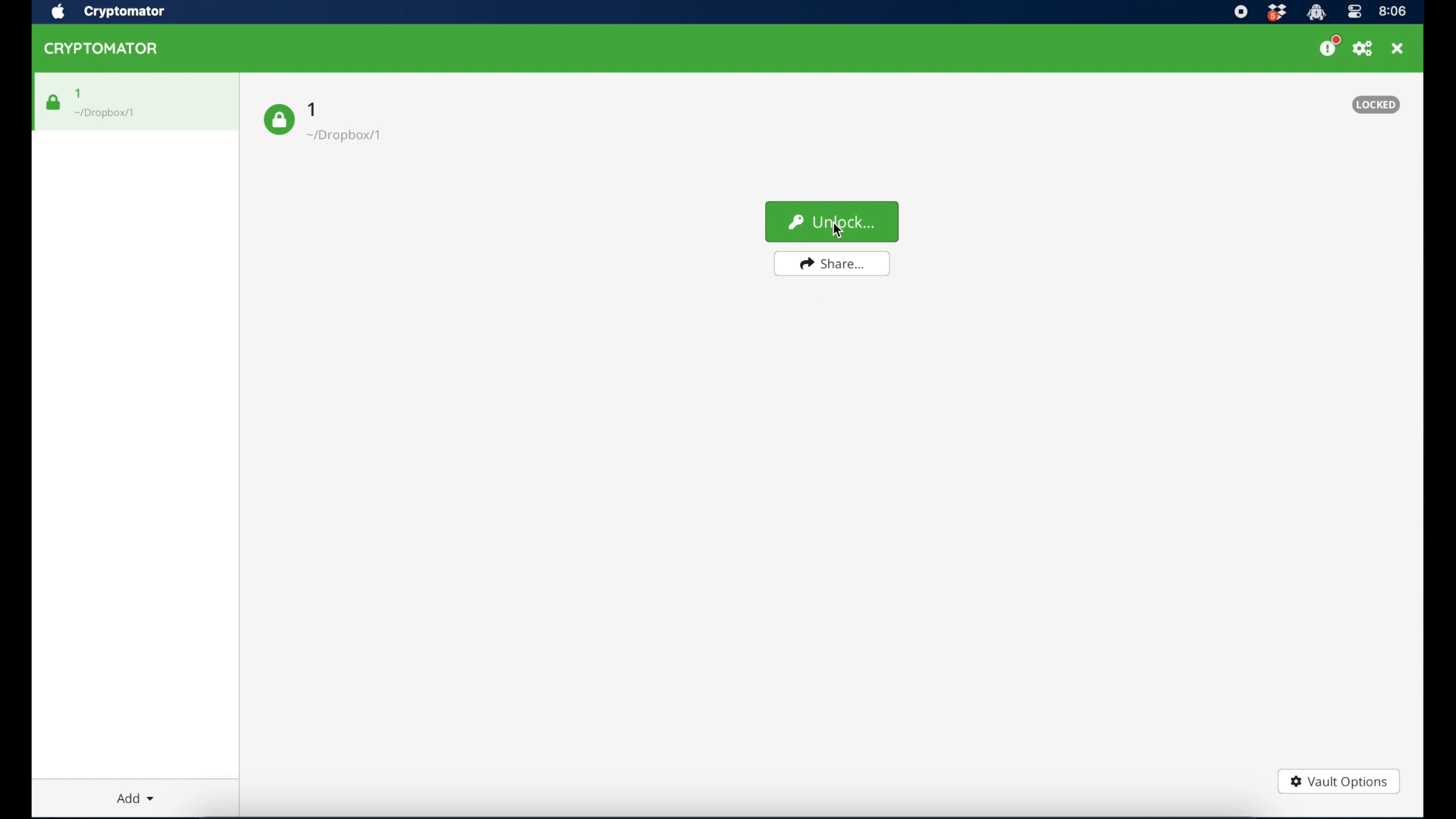  Describe the element at coordinates (1329, 46) in the screenshot. I see `support us` at that location.